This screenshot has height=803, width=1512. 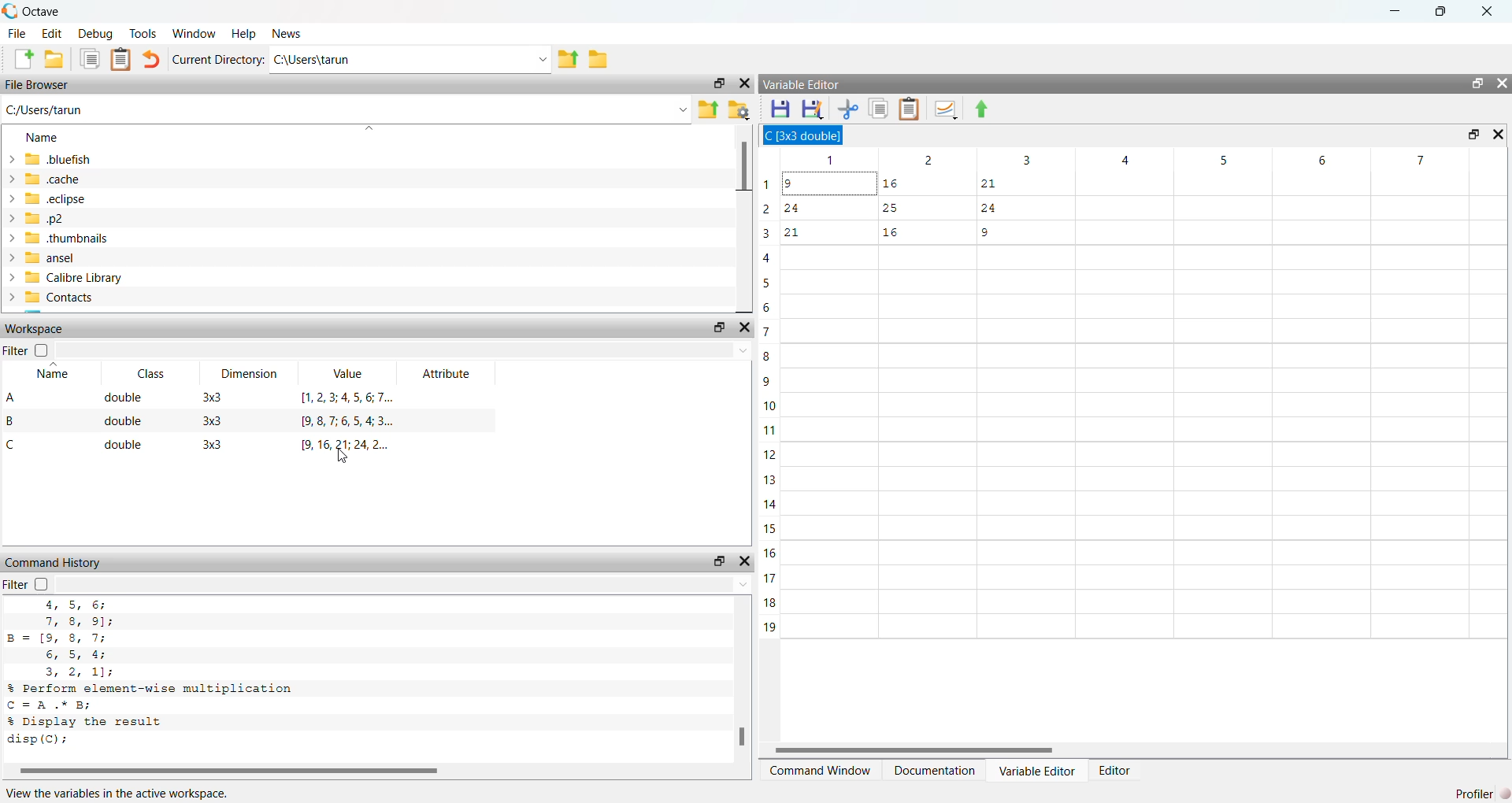 I want to click on undo, so click(x=151, y=60).